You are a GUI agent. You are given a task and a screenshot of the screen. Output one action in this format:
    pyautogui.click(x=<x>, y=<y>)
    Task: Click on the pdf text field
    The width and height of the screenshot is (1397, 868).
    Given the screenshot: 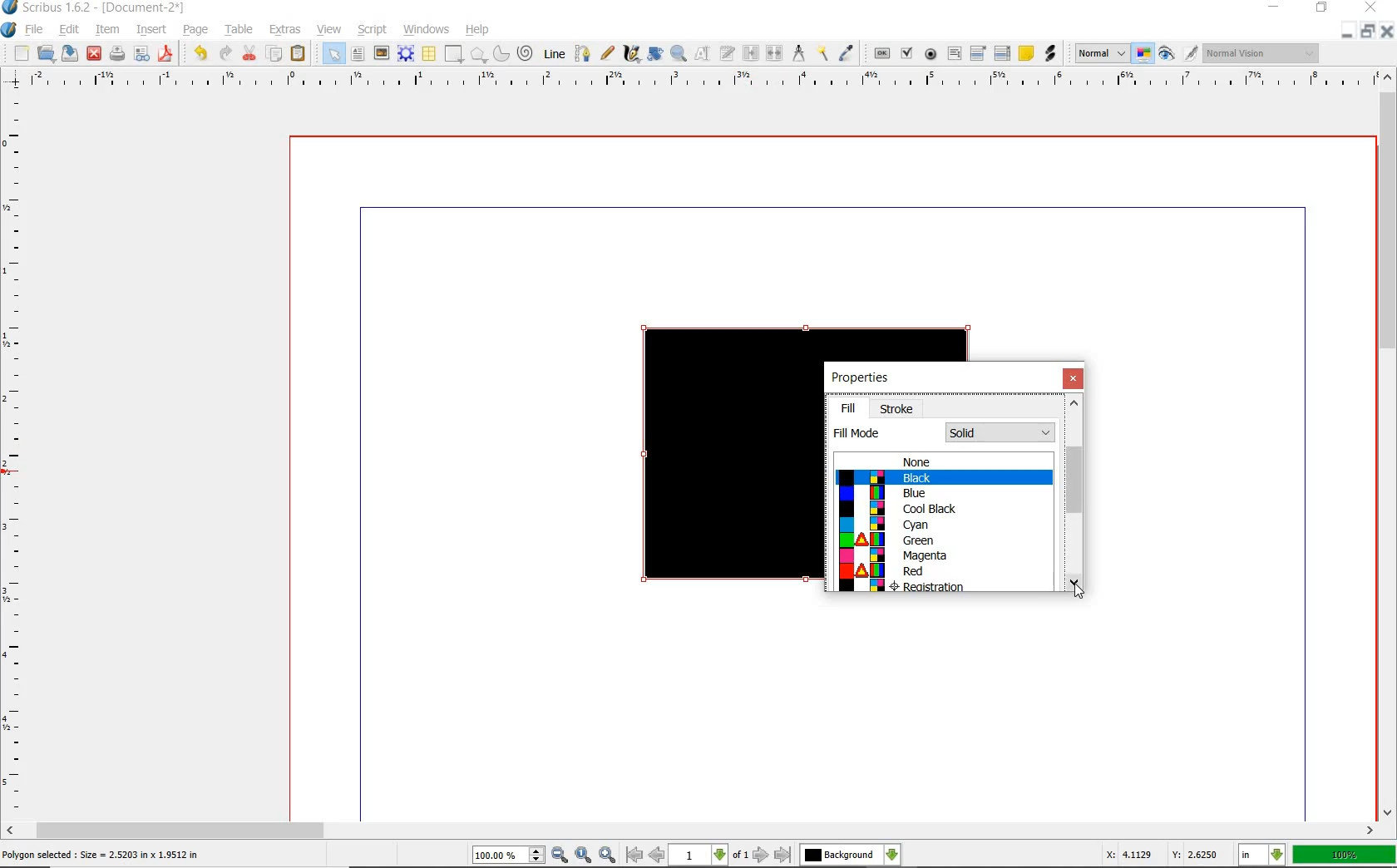 What is the action you would take?
    pyautogui.click(x=955, y=54)
    